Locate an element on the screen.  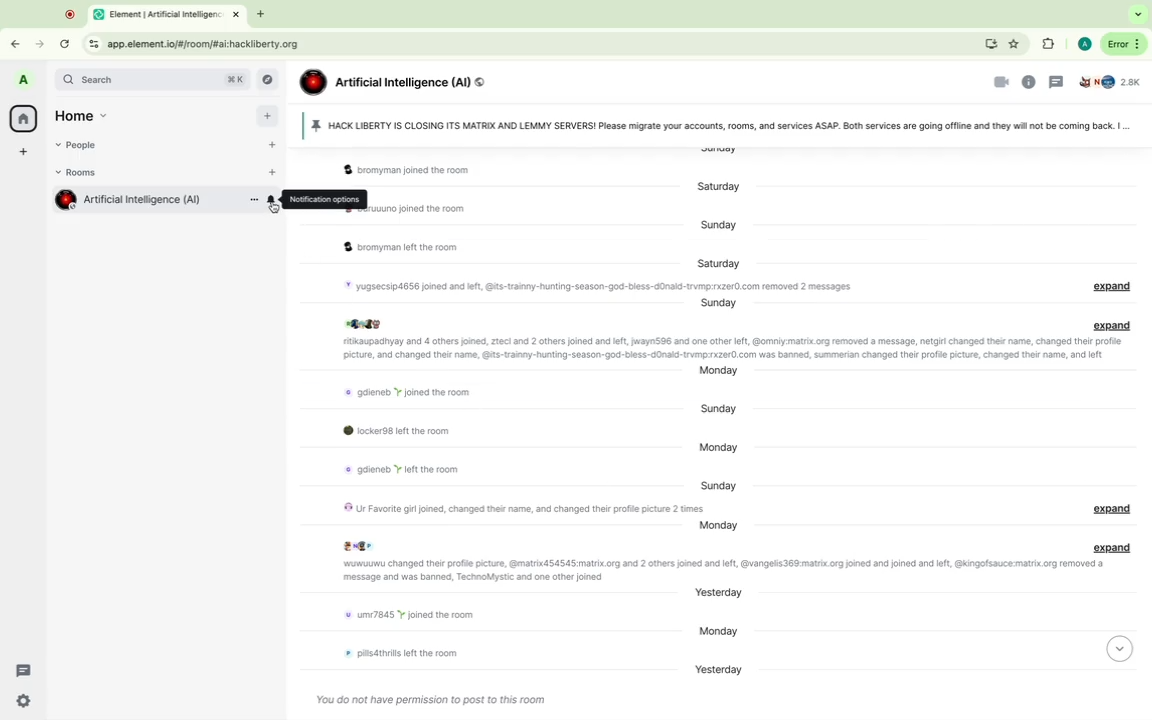
Home is located at coordinates (90, 116).